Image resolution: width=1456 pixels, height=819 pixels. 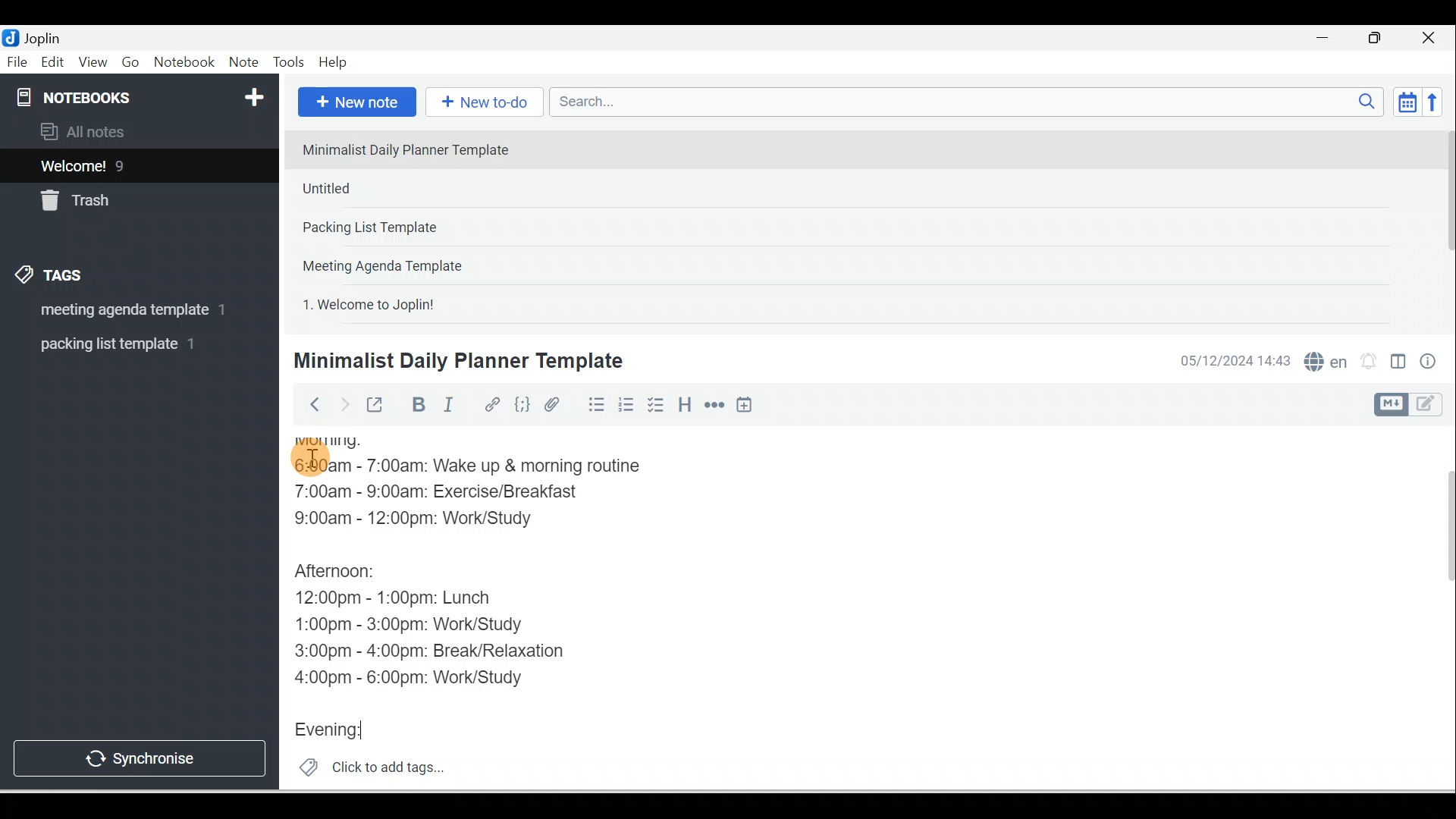 I want to click on Horizontal rule, so click(x=716, y=405).